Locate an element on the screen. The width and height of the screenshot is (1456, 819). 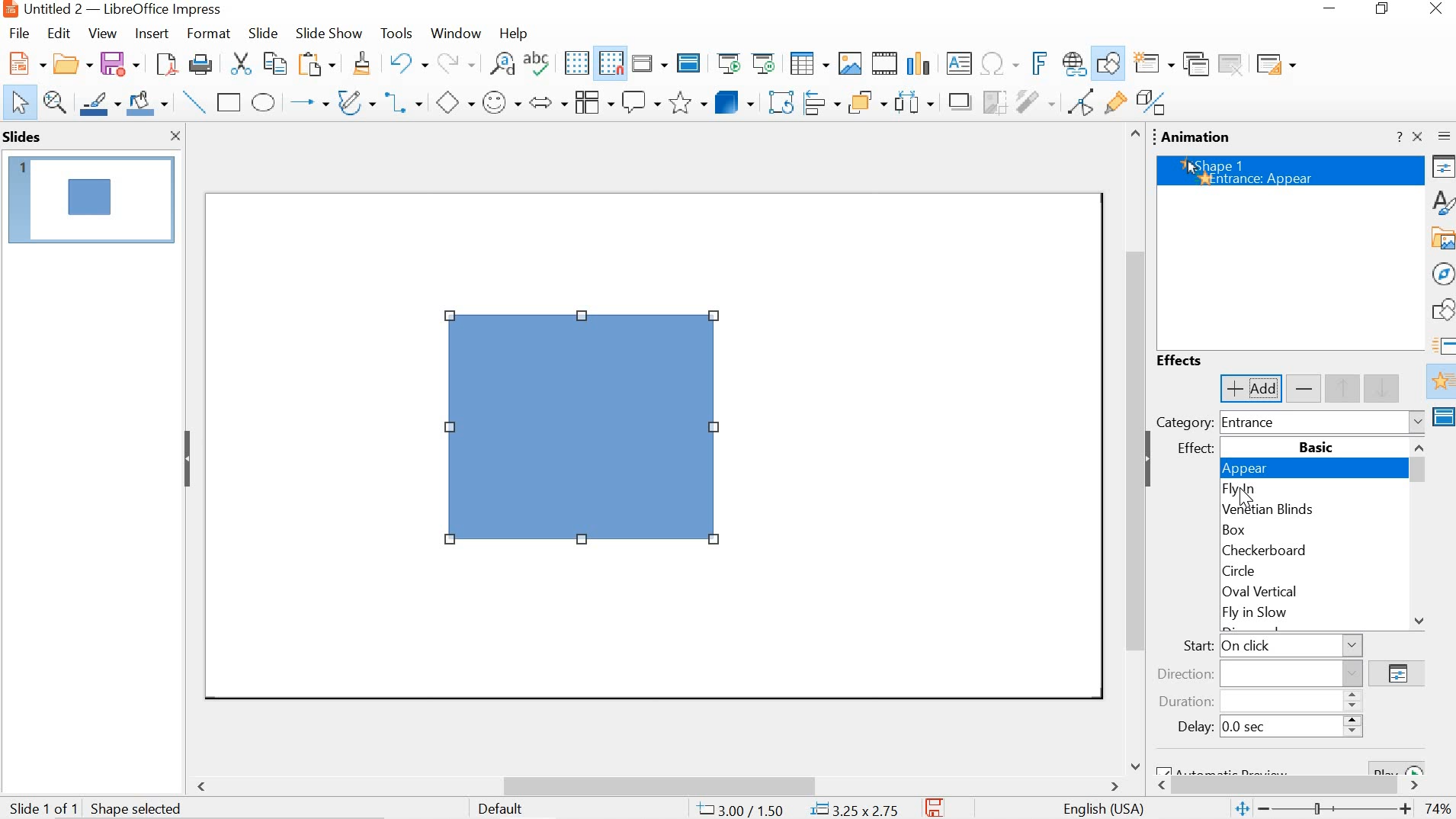
start from current slide is located at coordinates (765, 63).